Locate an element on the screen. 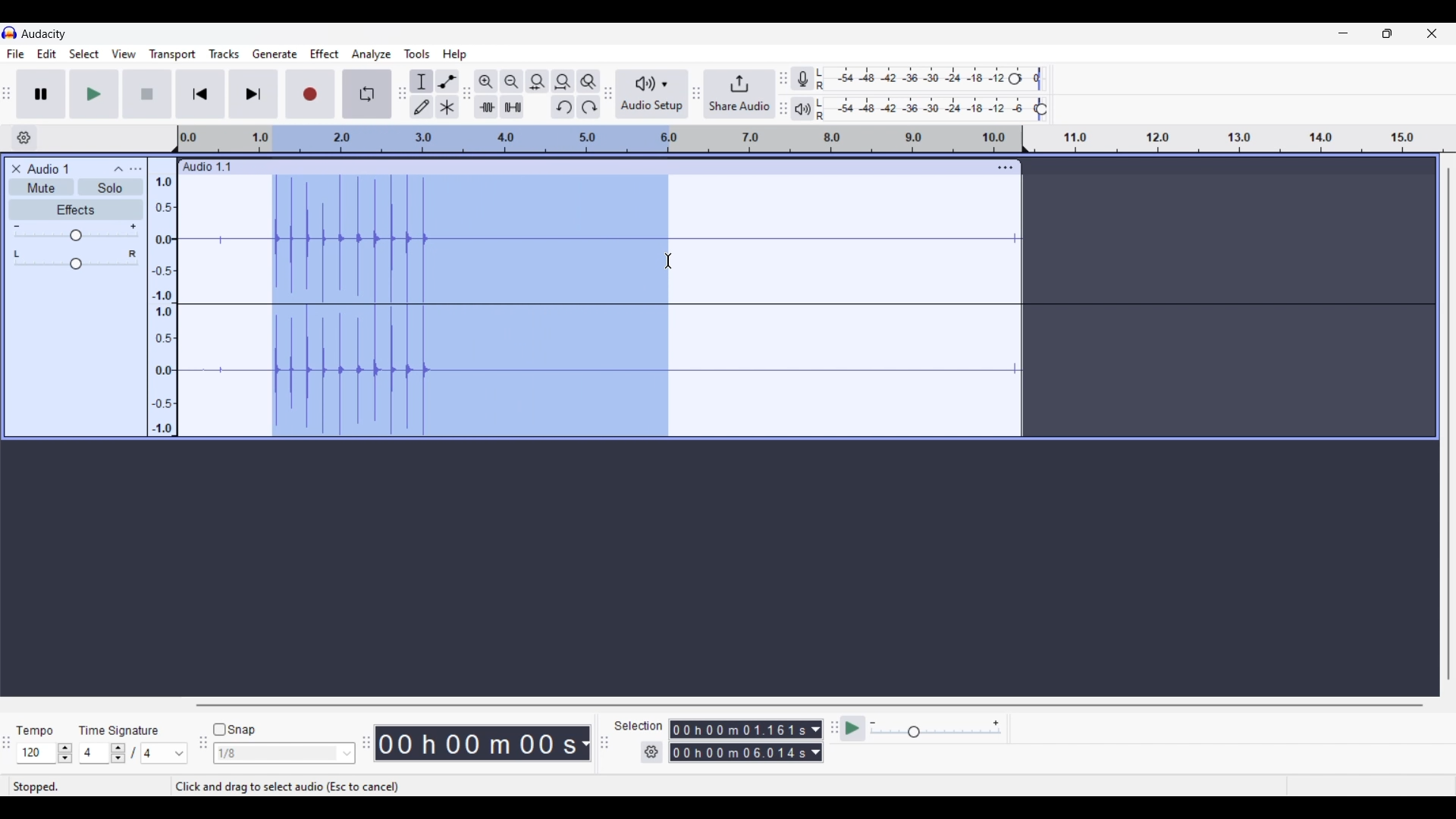 Image resolution: width=1456 pixels, height=819 pixels. Name of recorded audio is located at coordinates (206, 167).